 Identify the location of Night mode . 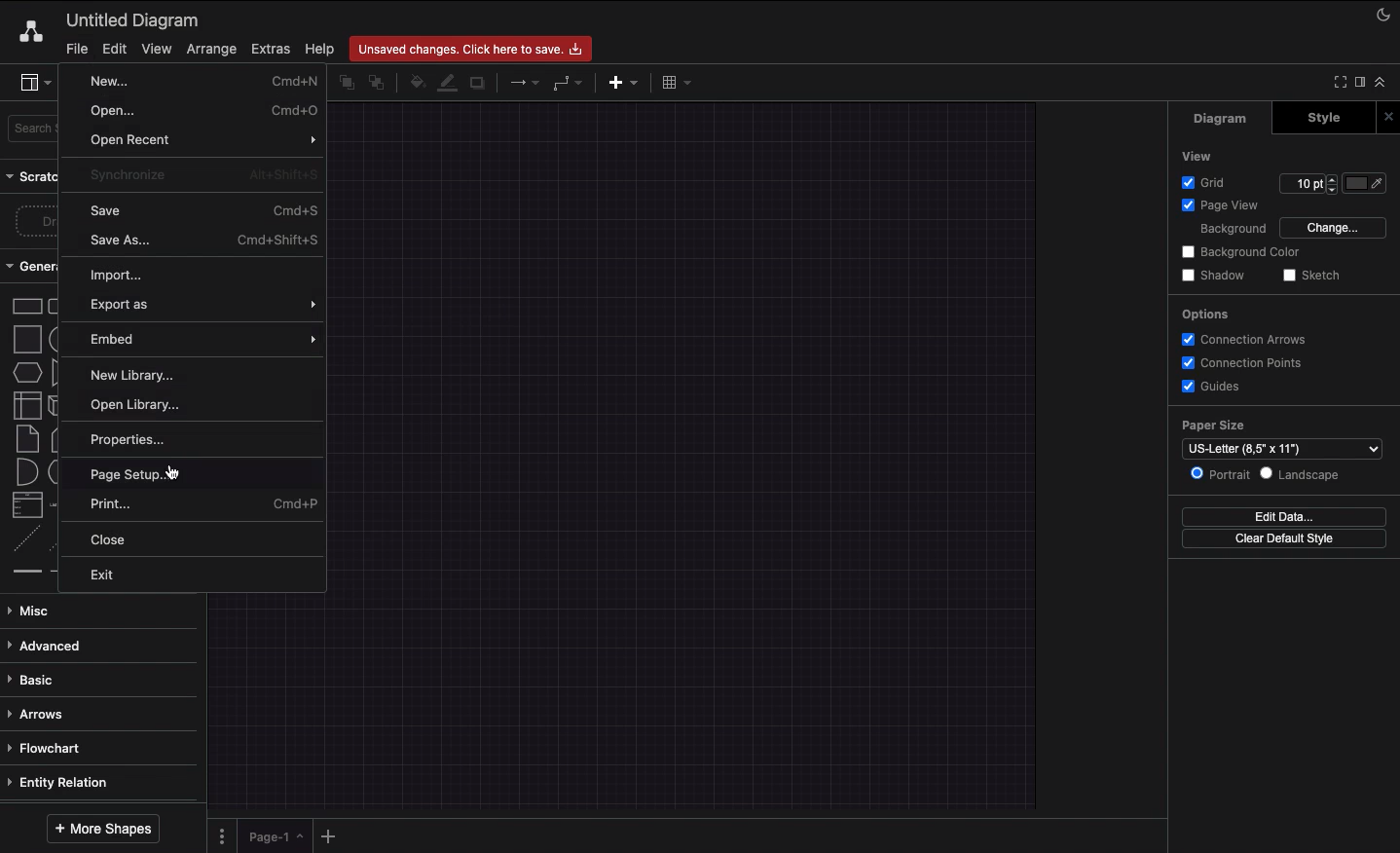
(1384, 13).